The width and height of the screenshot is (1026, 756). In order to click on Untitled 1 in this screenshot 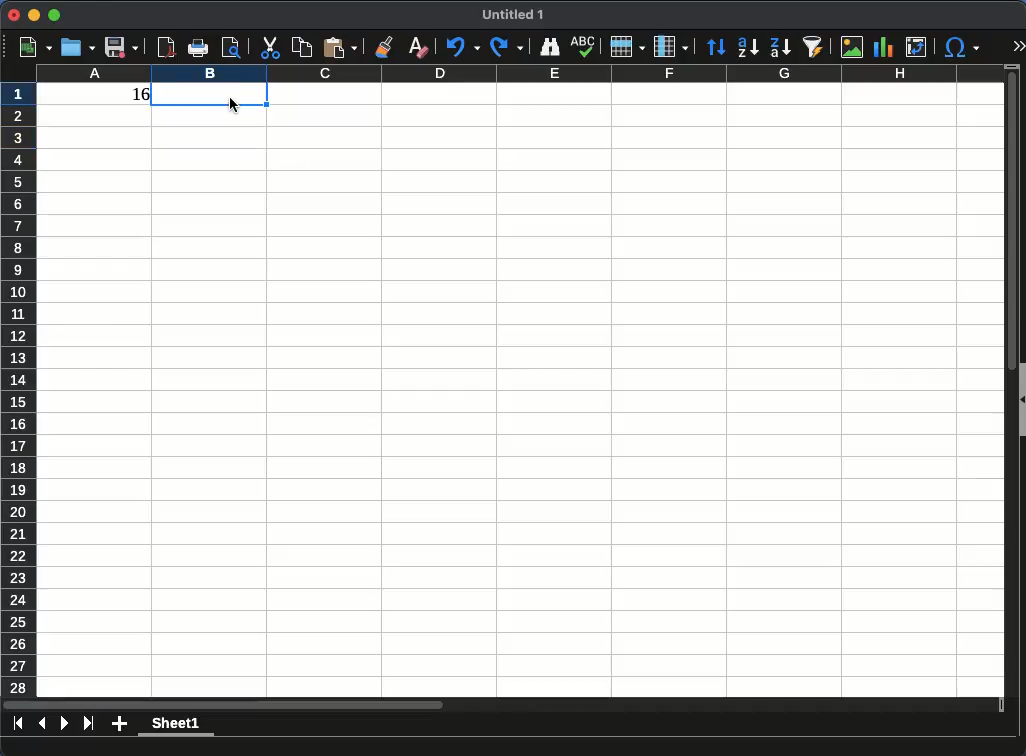, I will do `click(506, 15)`.